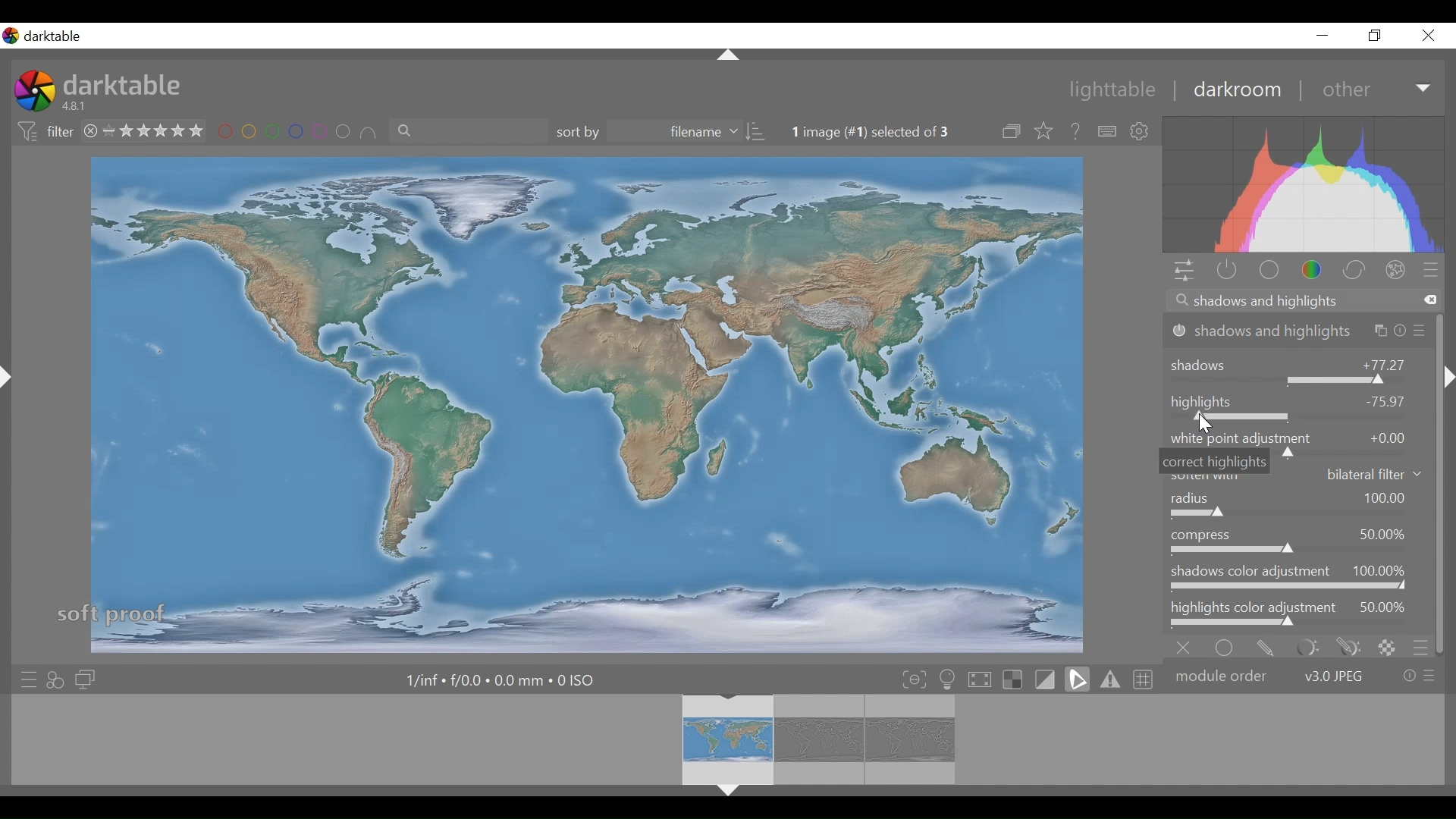  What do you see at coordinates (1305, 675) in the screenshot?
I see `module order` at bounding box center [1305, 675].